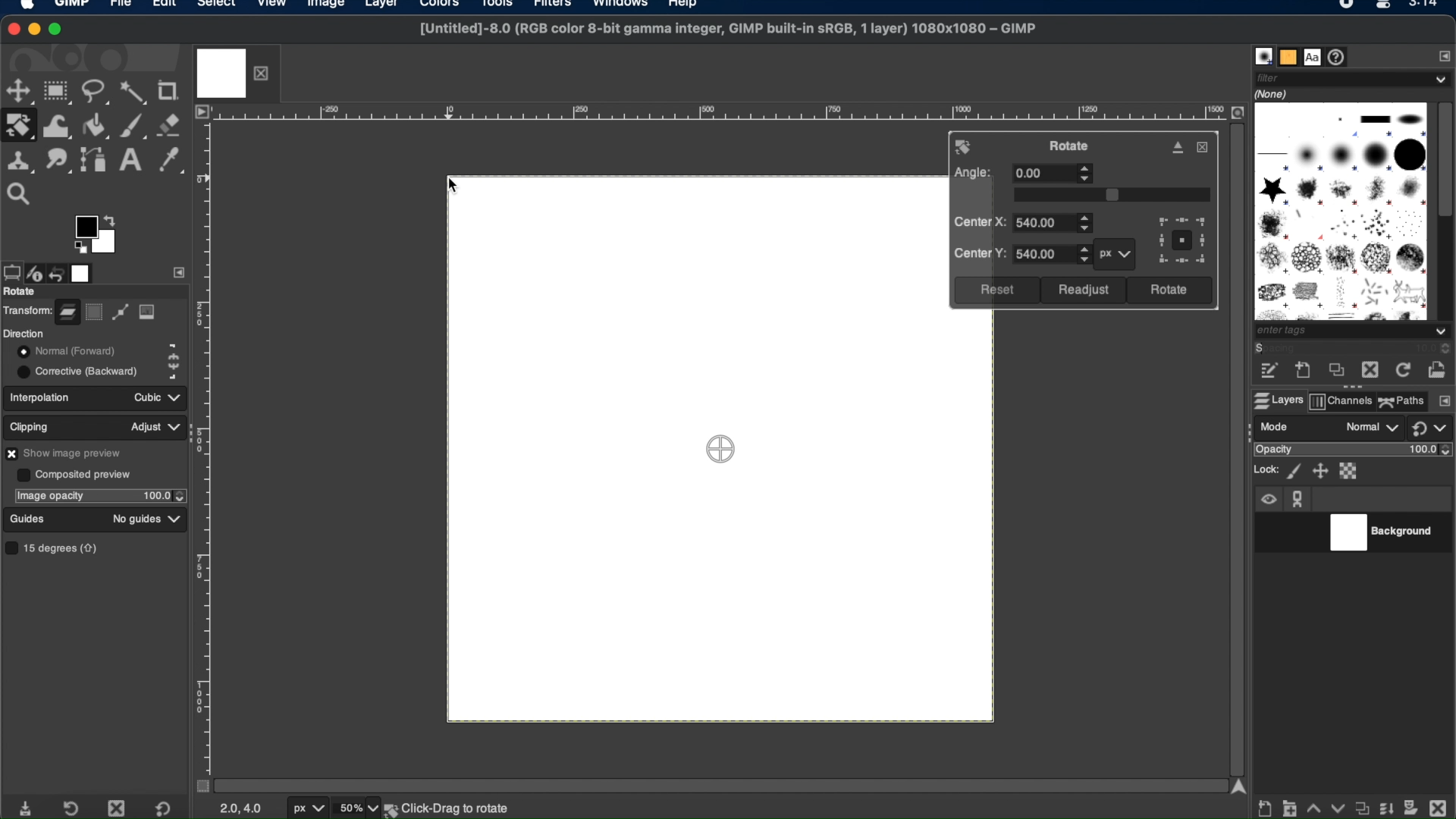 Image resolution: width=1456 pixels, height=819 pixels. I want to click on file, so click(121, 6).